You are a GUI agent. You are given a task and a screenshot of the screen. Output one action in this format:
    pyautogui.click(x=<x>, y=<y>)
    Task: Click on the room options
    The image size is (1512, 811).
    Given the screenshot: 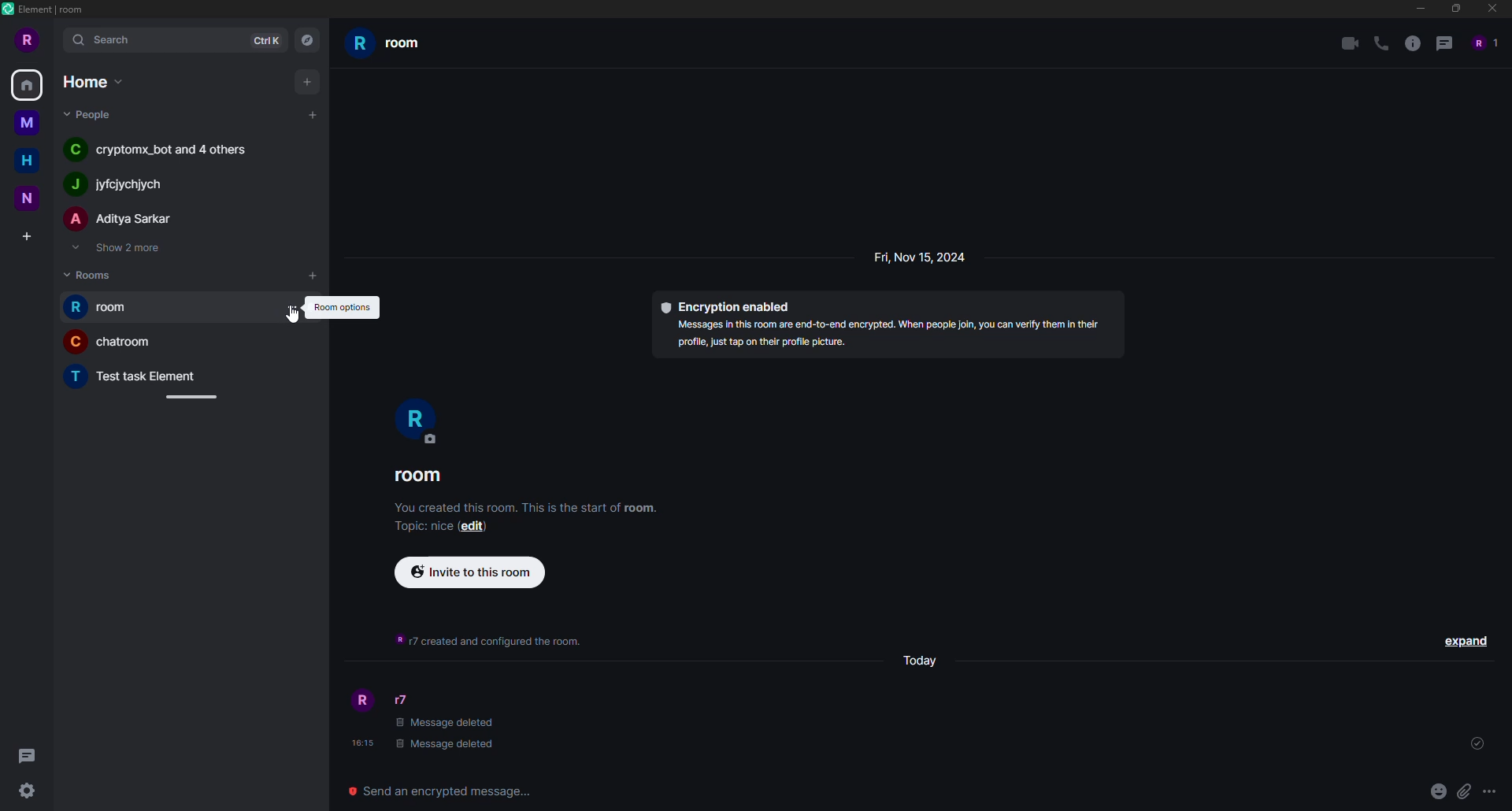 What is the action you would take?
    pyautogui.click(x=290, y=308)
    